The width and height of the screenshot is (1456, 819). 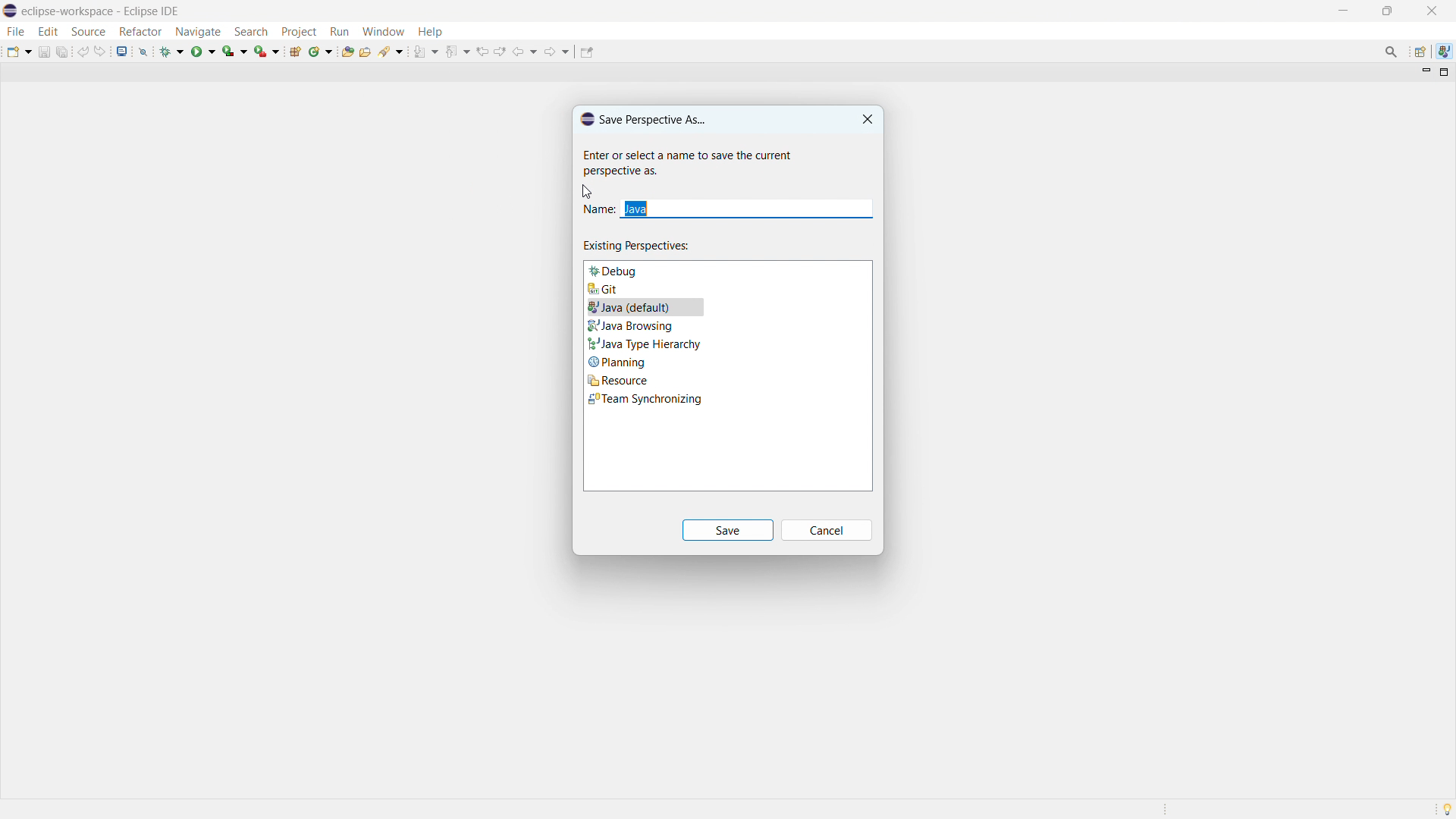 What do you see at coordinates (1387, 10) in the screenshot?
I see `maximize` at bounding box center [1387, 10].